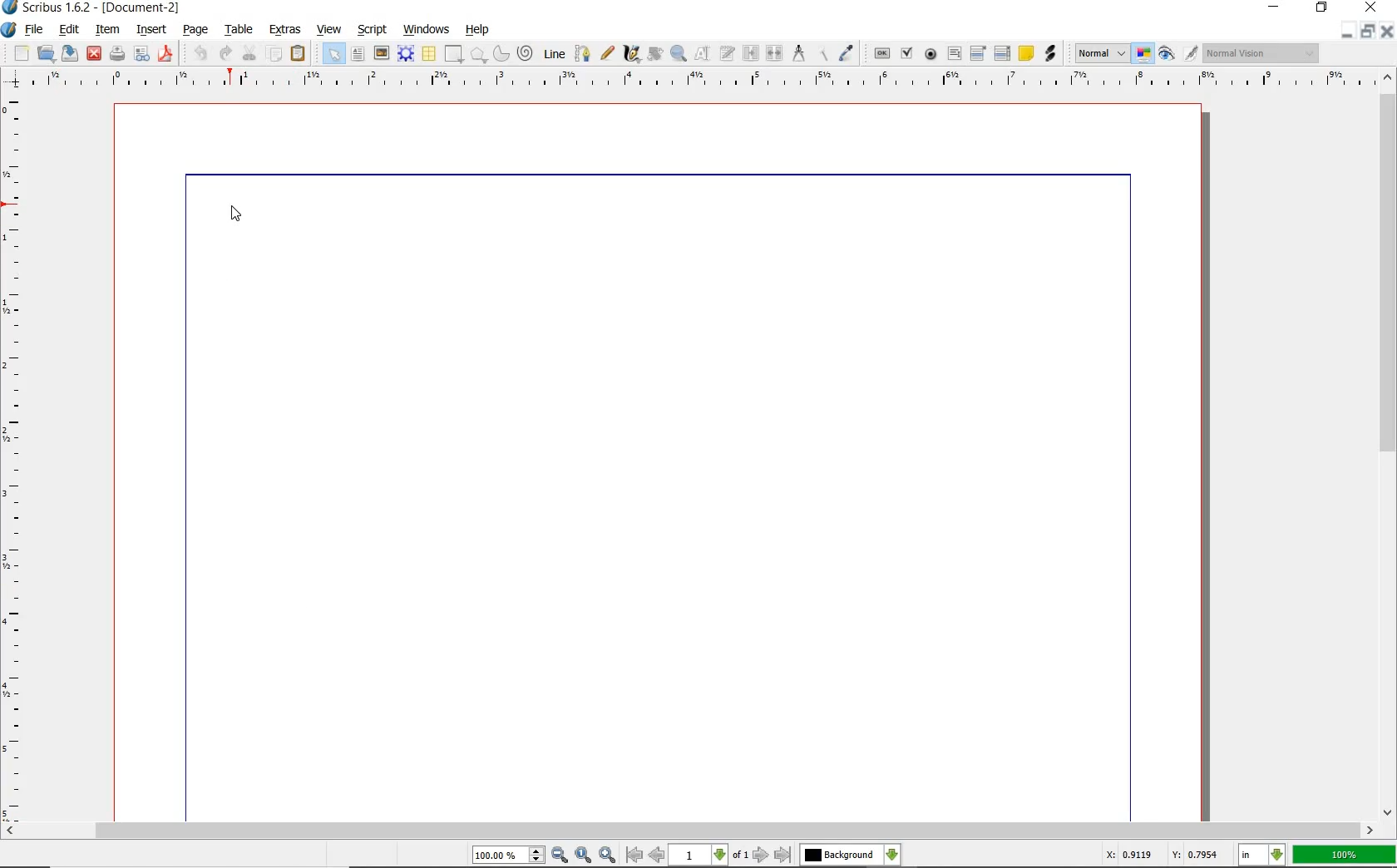  What do you see at coordinates (1054, 54) in the screenshot?
I see `link annotation` at bounding box center [1054, 54].